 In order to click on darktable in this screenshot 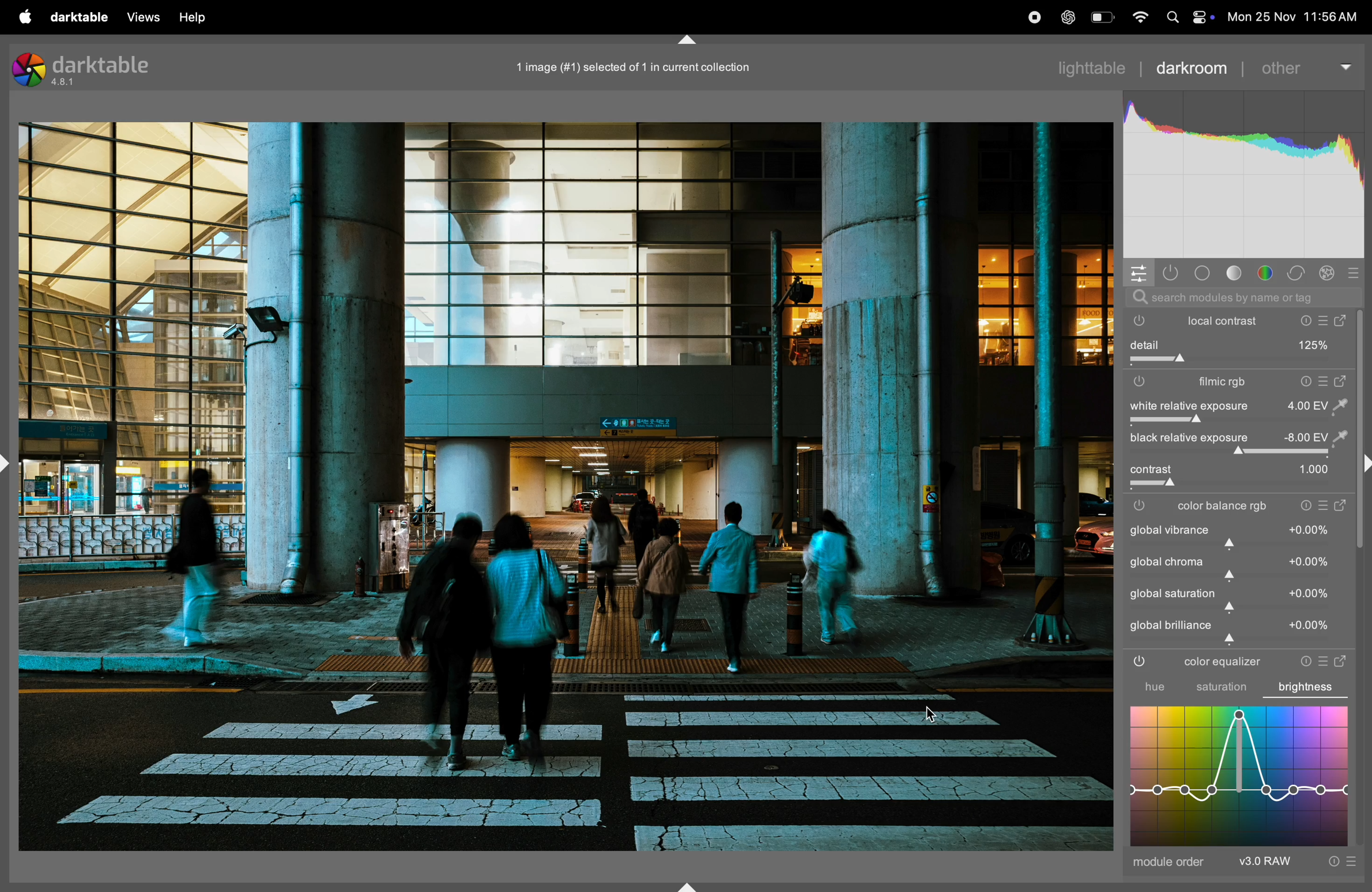, I will do `click(103, 63)`.